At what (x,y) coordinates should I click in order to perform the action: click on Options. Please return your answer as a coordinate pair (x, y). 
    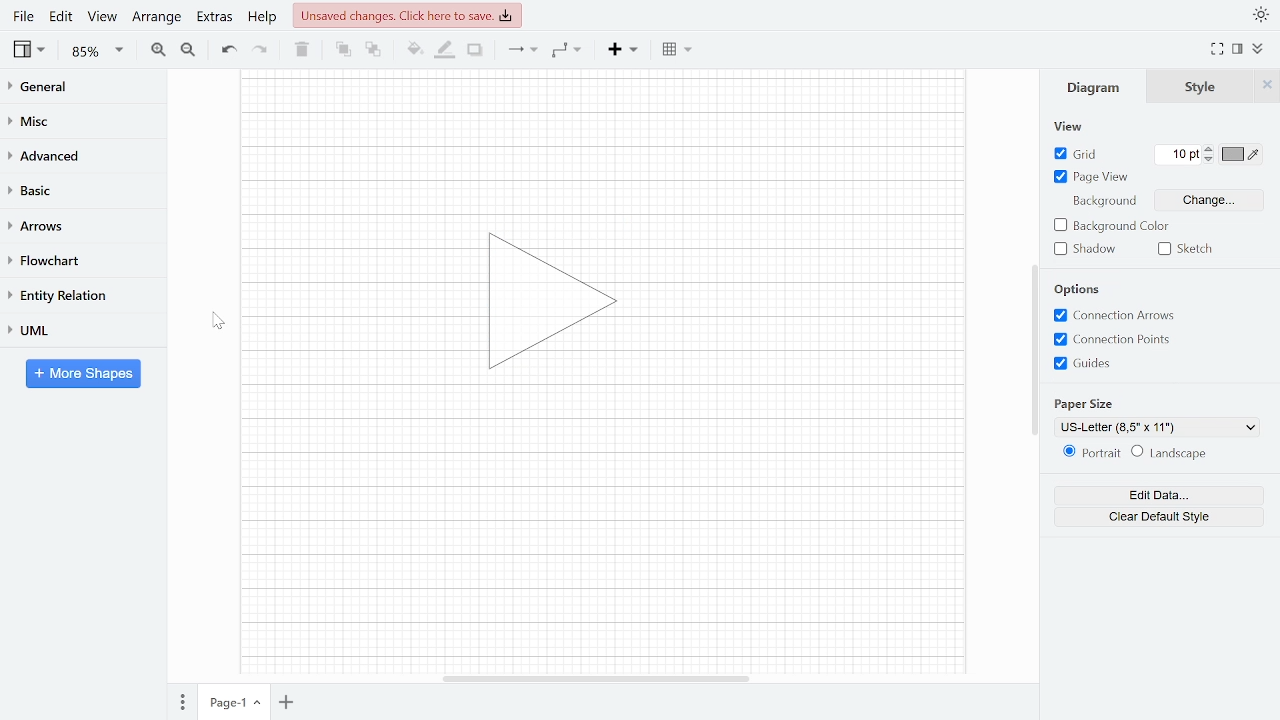
    Looking at the image, I should click on (1082, 288).